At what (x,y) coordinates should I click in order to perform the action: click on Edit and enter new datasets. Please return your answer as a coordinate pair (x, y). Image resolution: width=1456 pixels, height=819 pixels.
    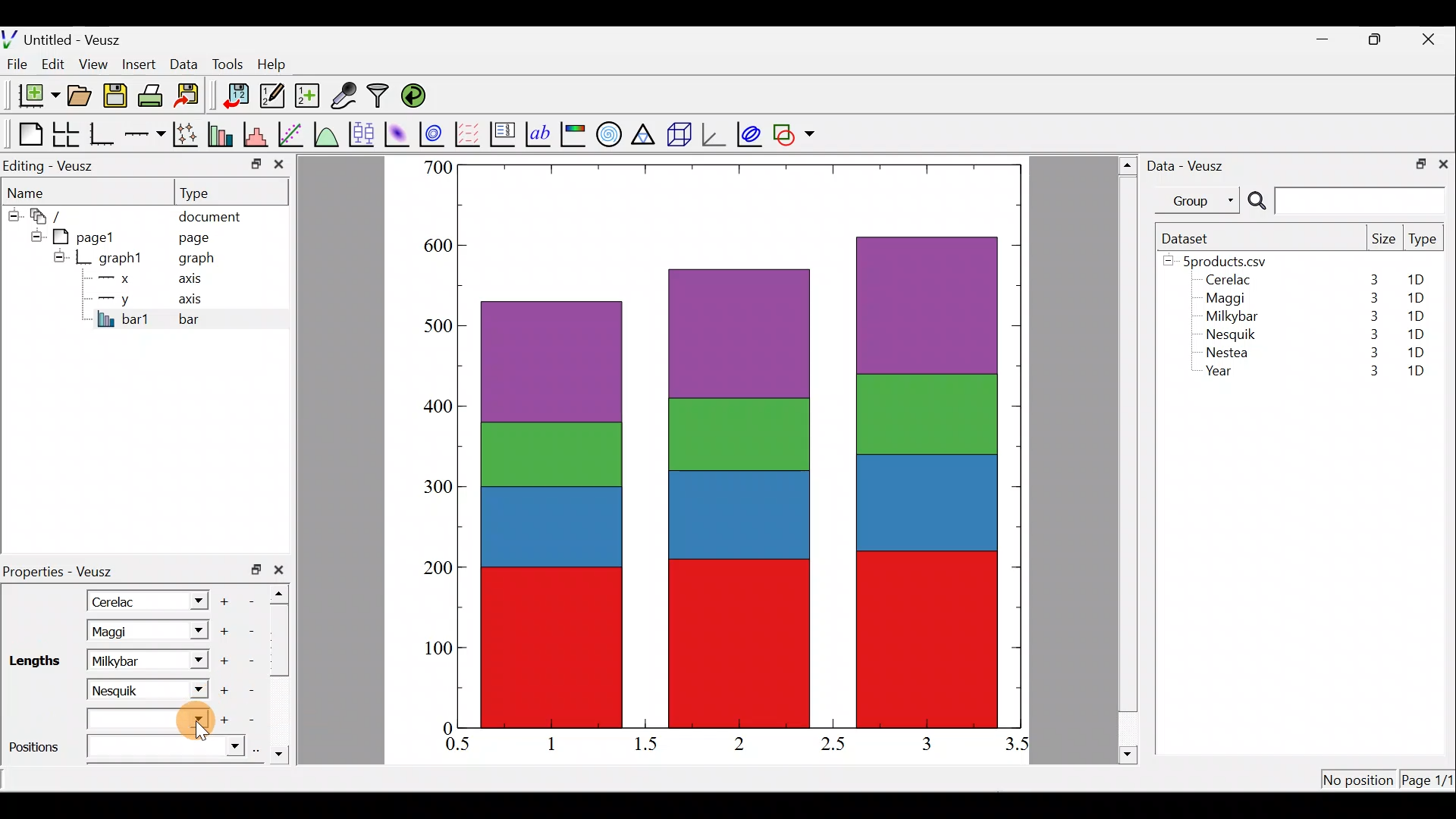
    Looking at the image, I should click on (272, 96).